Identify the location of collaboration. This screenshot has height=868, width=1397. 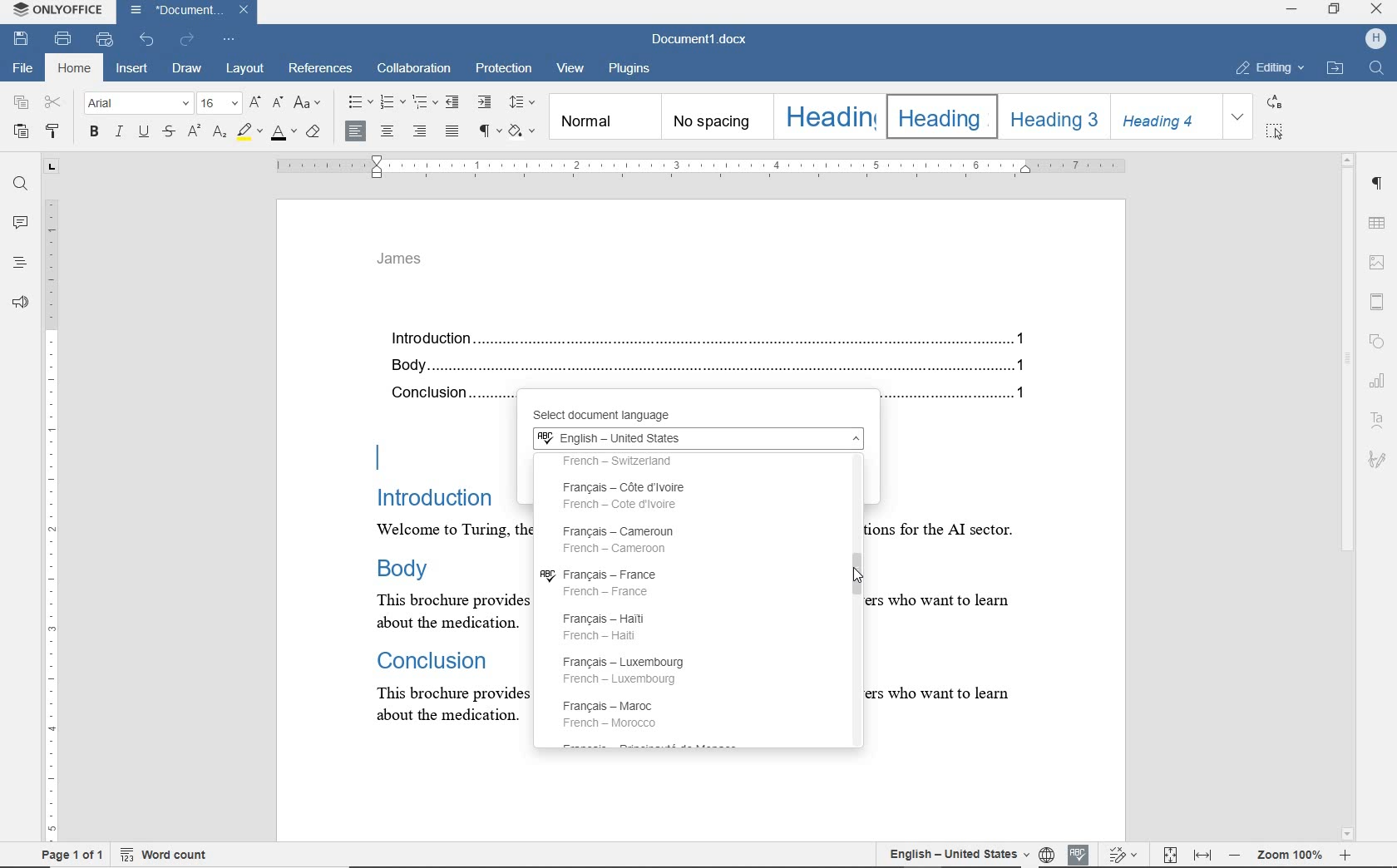
(415, 70).